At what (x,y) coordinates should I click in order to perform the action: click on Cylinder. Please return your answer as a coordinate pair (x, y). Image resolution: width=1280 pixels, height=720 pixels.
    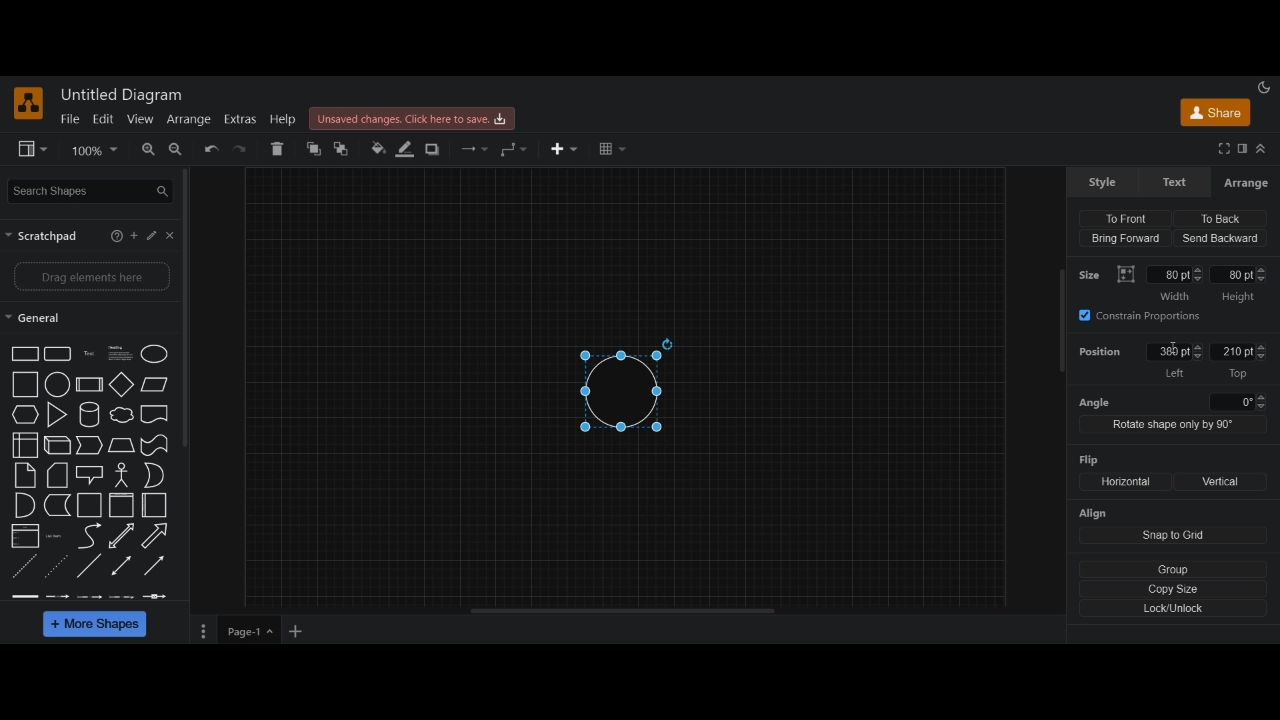
    Looking at the image, I should click on (91, 416).